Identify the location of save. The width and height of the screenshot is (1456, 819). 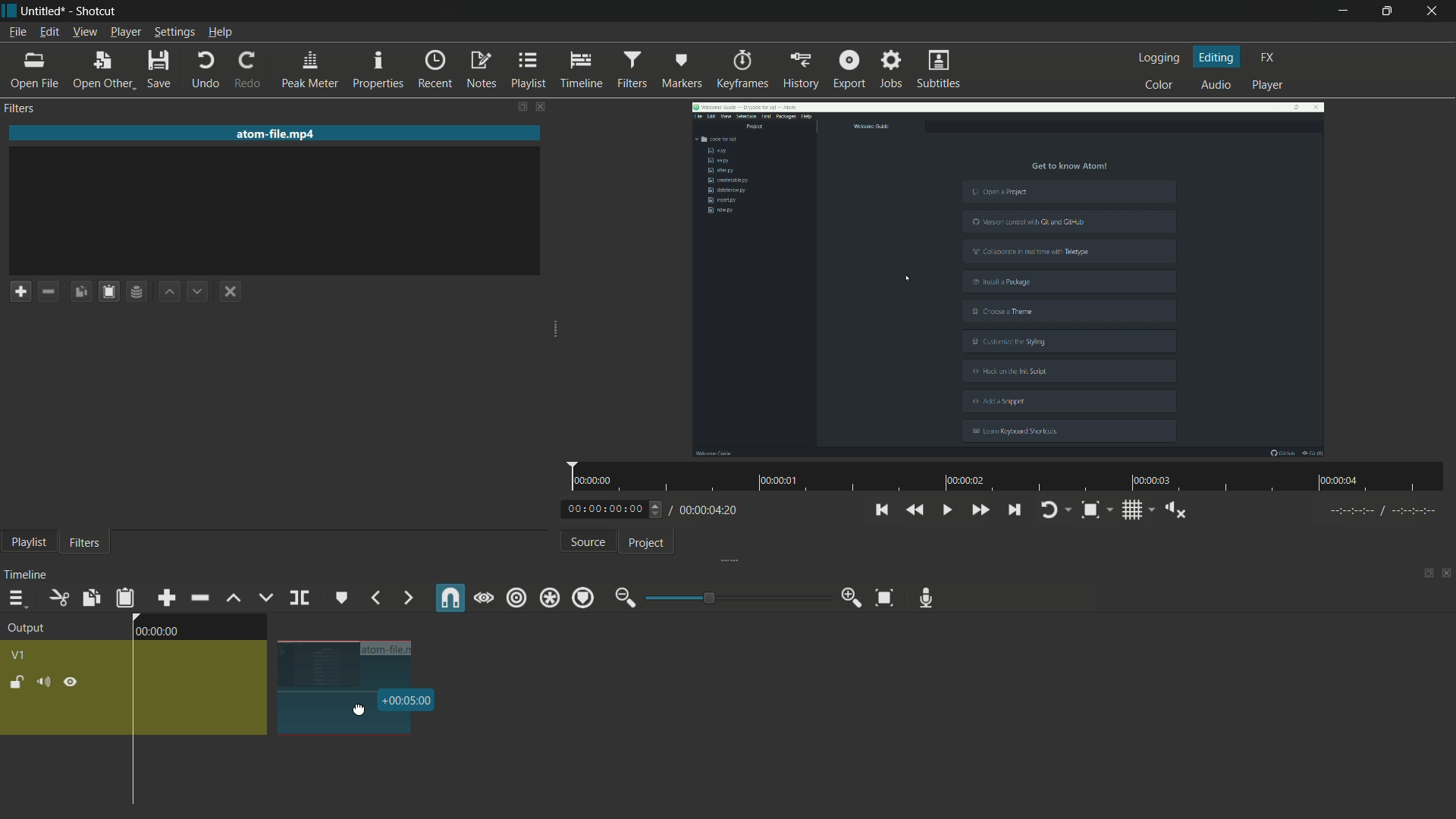
(161, 71).